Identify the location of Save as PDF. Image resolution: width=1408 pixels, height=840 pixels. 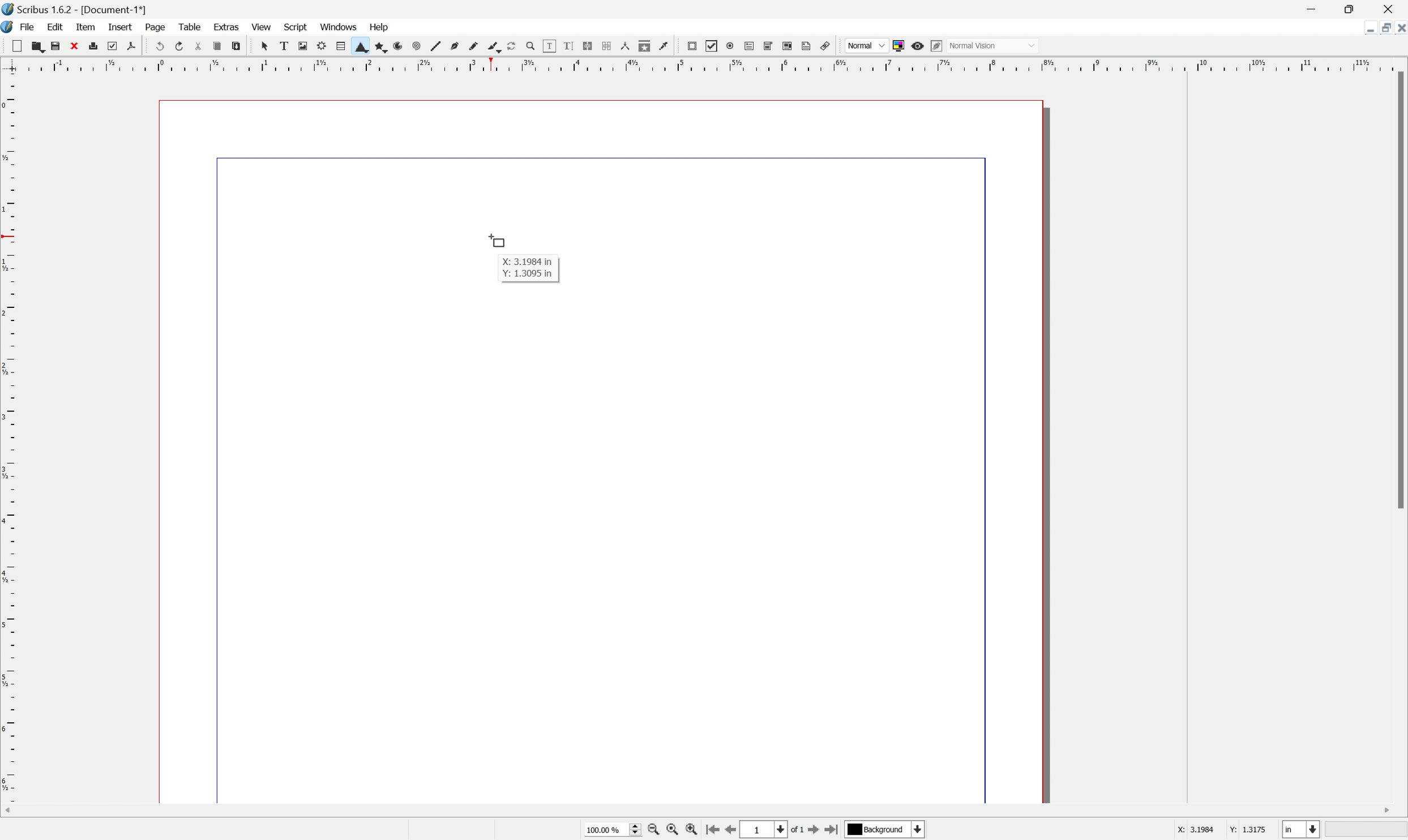
(131, 48).